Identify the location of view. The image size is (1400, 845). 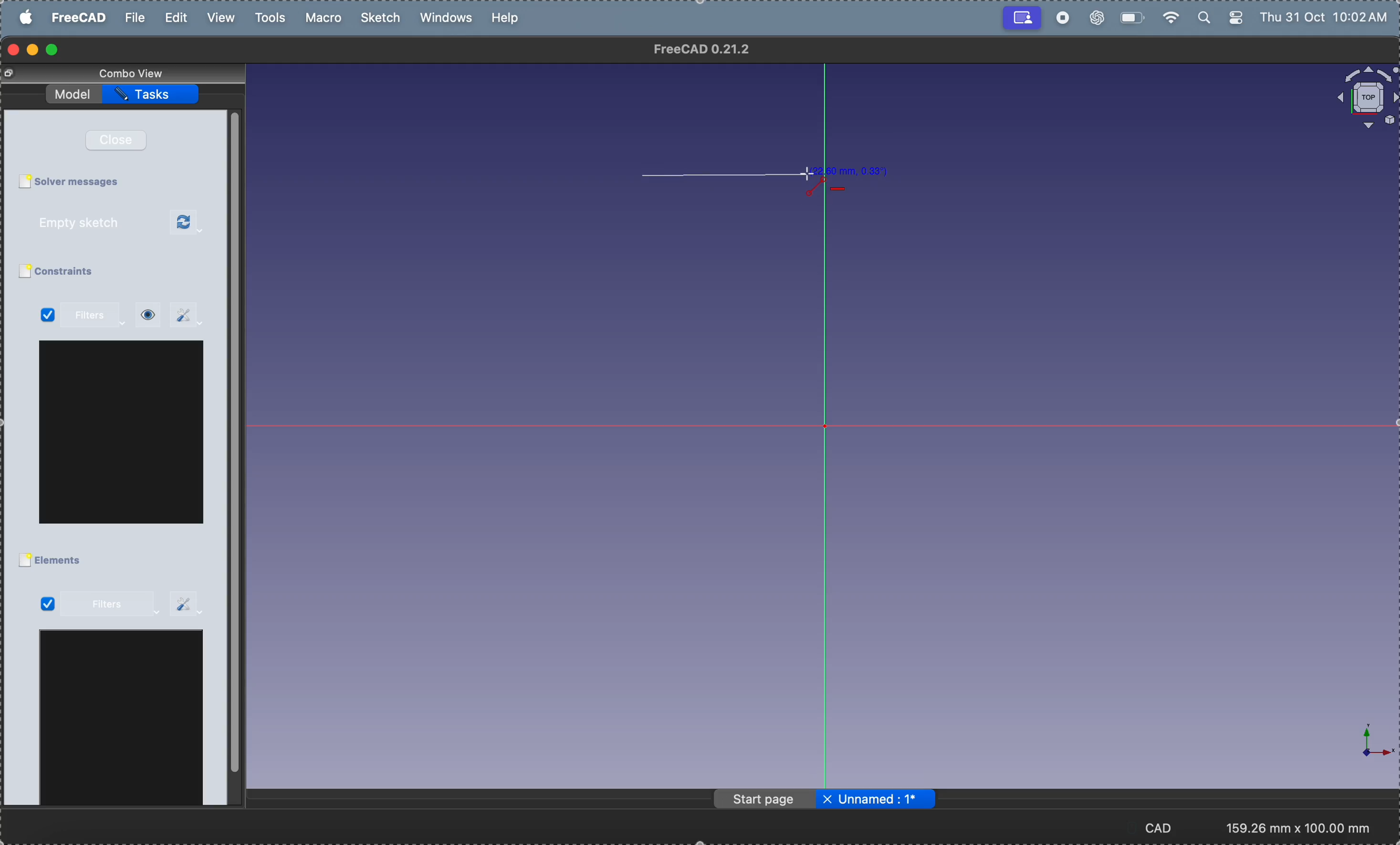
(219, 18).